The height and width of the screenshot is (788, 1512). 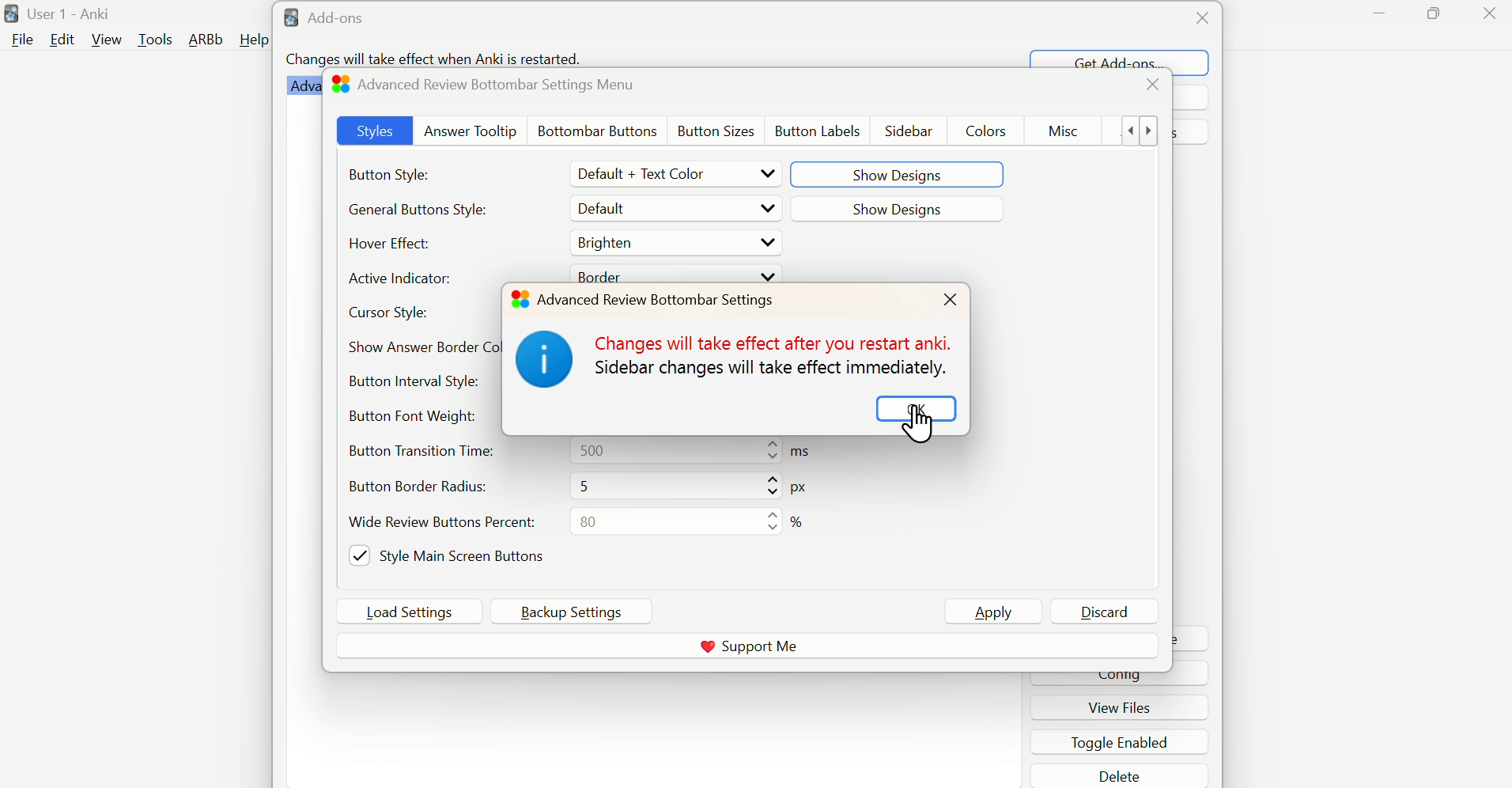 I want to click on Hover Effect, so click(x=393, y=241).